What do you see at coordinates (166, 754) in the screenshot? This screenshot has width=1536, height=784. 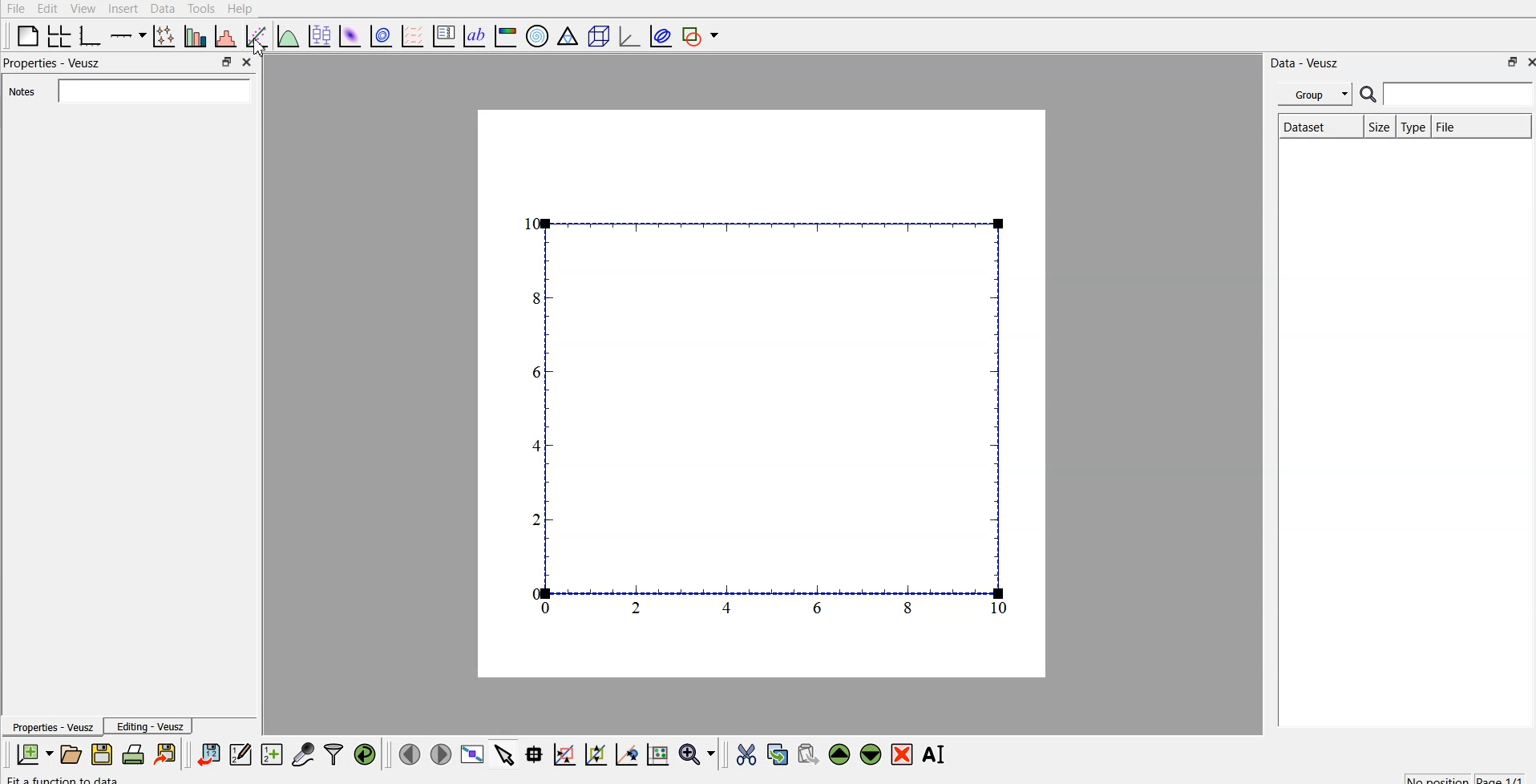 I see `print the document` at bounding box center [166, 754].